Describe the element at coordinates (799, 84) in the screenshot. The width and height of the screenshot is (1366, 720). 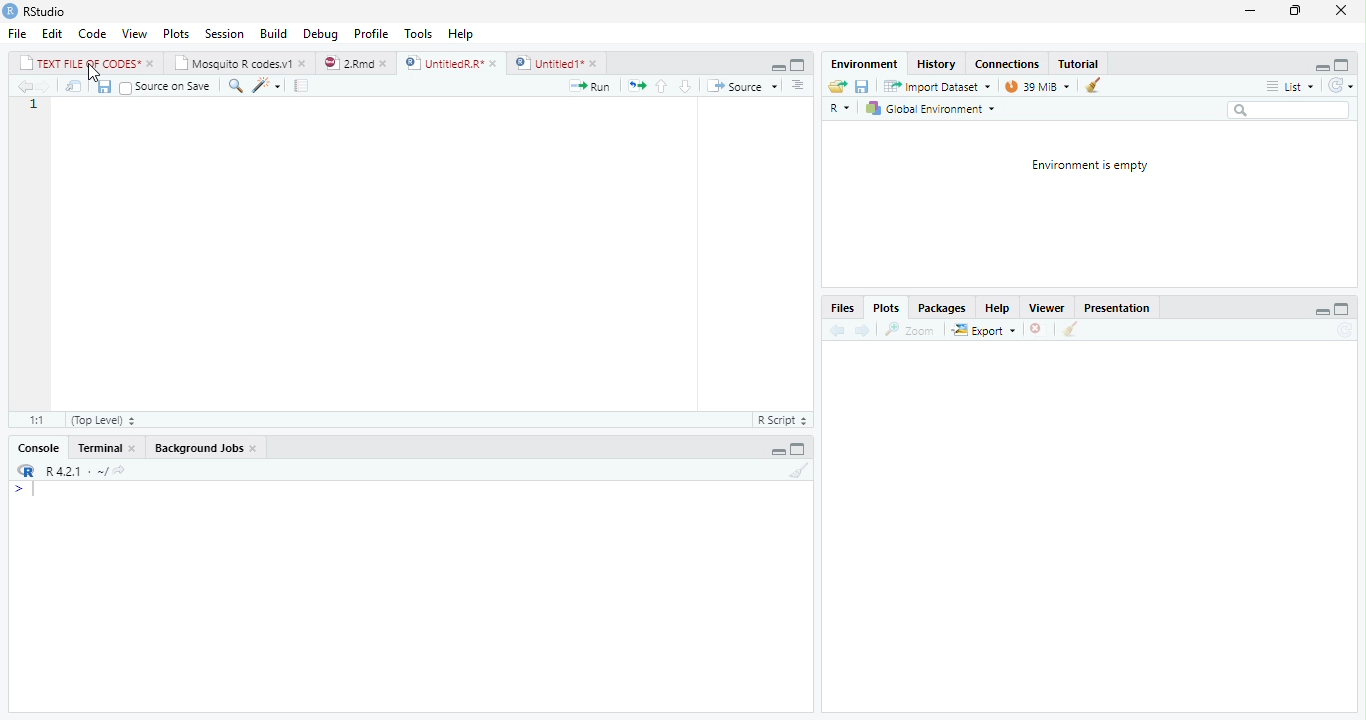
I see `Show Document Outline` at that location.